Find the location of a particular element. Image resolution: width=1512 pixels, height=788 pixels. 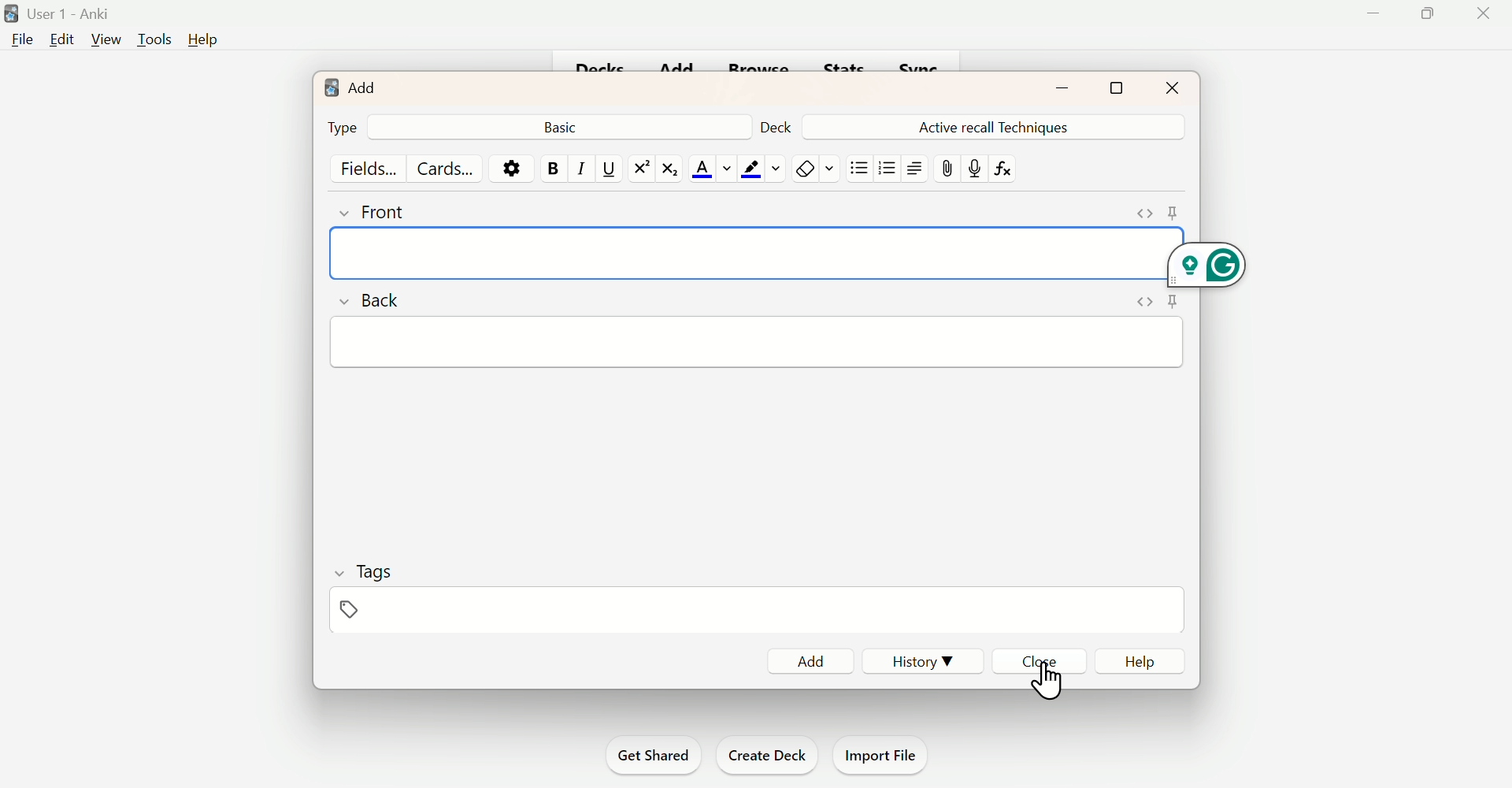

Bold is located at coordinates (553, 165).